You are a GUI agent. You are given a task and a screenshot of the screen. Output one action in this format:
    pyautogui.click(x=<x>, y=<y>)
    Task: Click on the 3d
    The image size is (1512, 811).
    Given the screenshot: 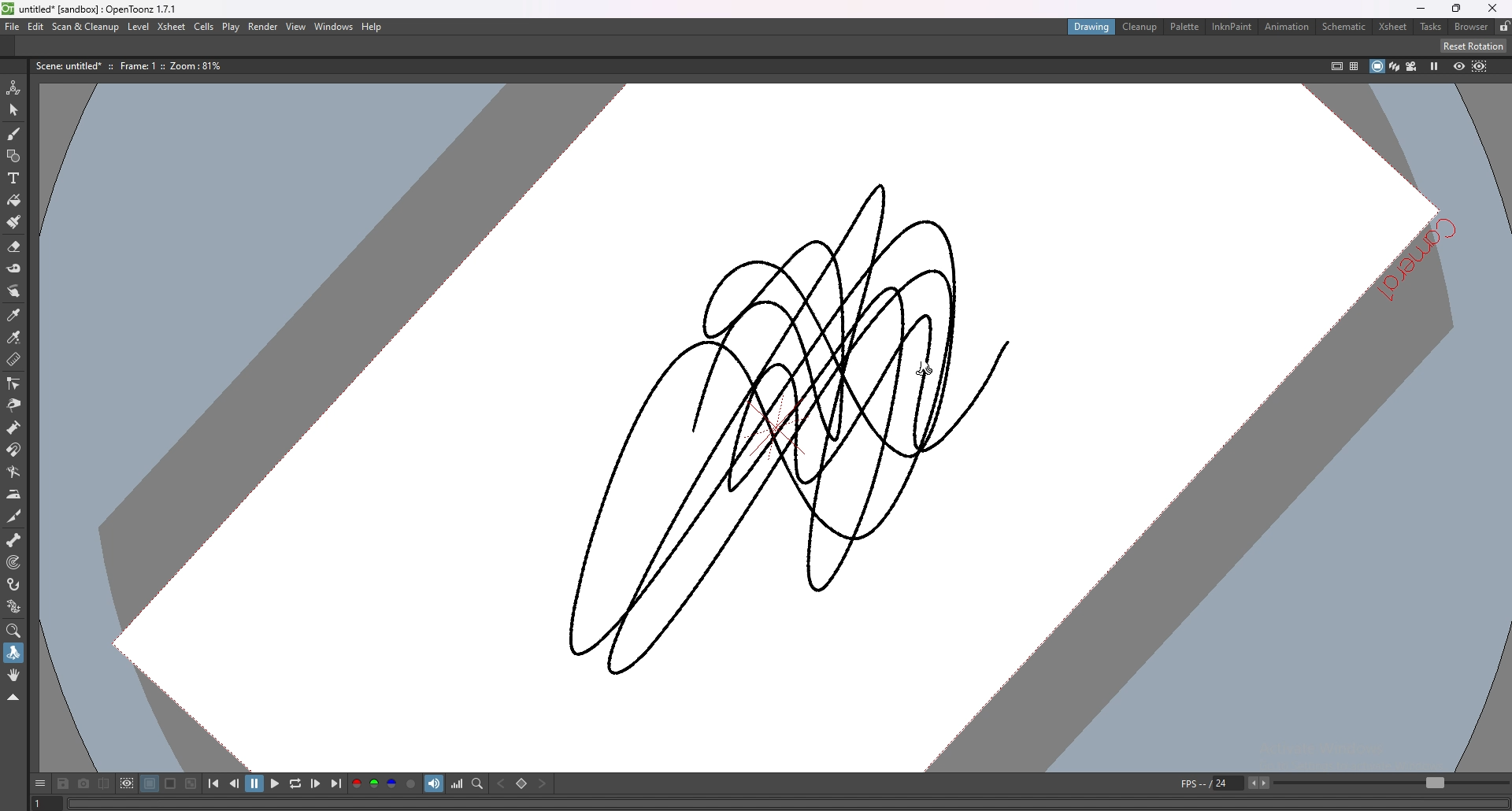 What is the action you would take?
    pyautogui.click(x=1395, y=66)
    